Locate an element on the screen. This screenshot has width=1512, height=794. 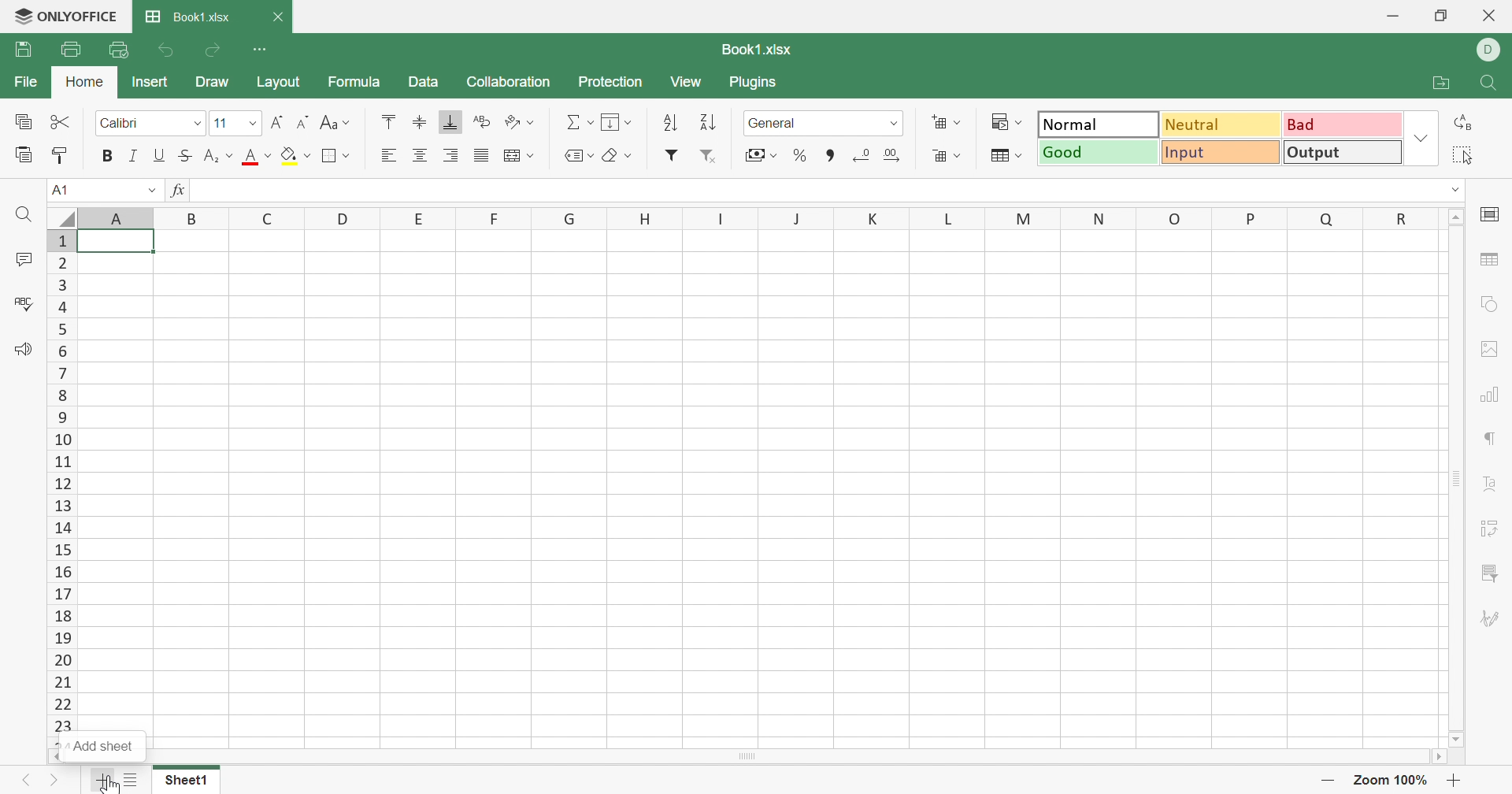
Signature settings is located at coordinates (1488, 616).